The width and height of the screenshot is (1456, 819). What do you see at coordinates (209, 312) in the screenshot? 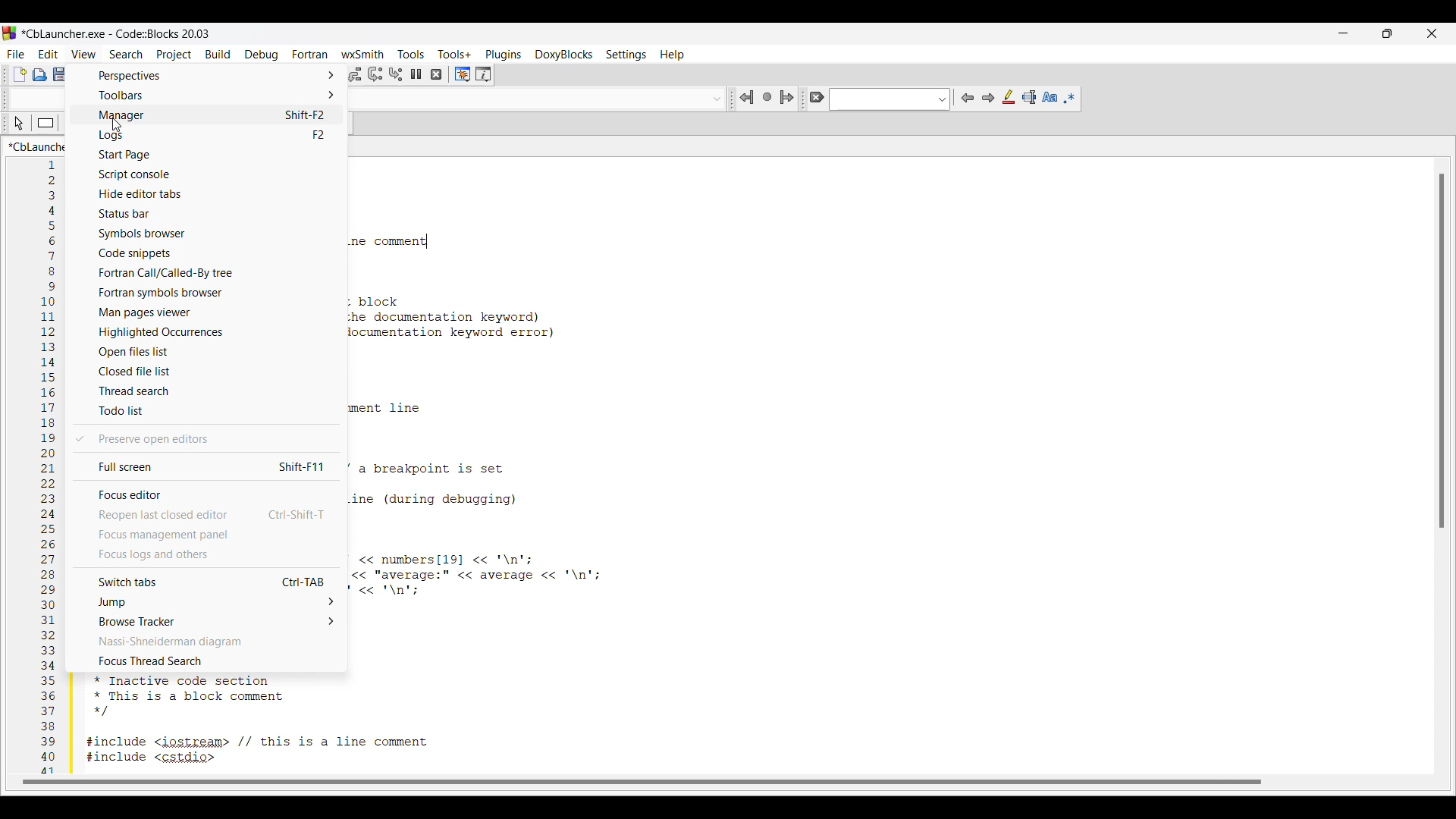
I see `Man pages viewer` at bounding box center [209, 312].